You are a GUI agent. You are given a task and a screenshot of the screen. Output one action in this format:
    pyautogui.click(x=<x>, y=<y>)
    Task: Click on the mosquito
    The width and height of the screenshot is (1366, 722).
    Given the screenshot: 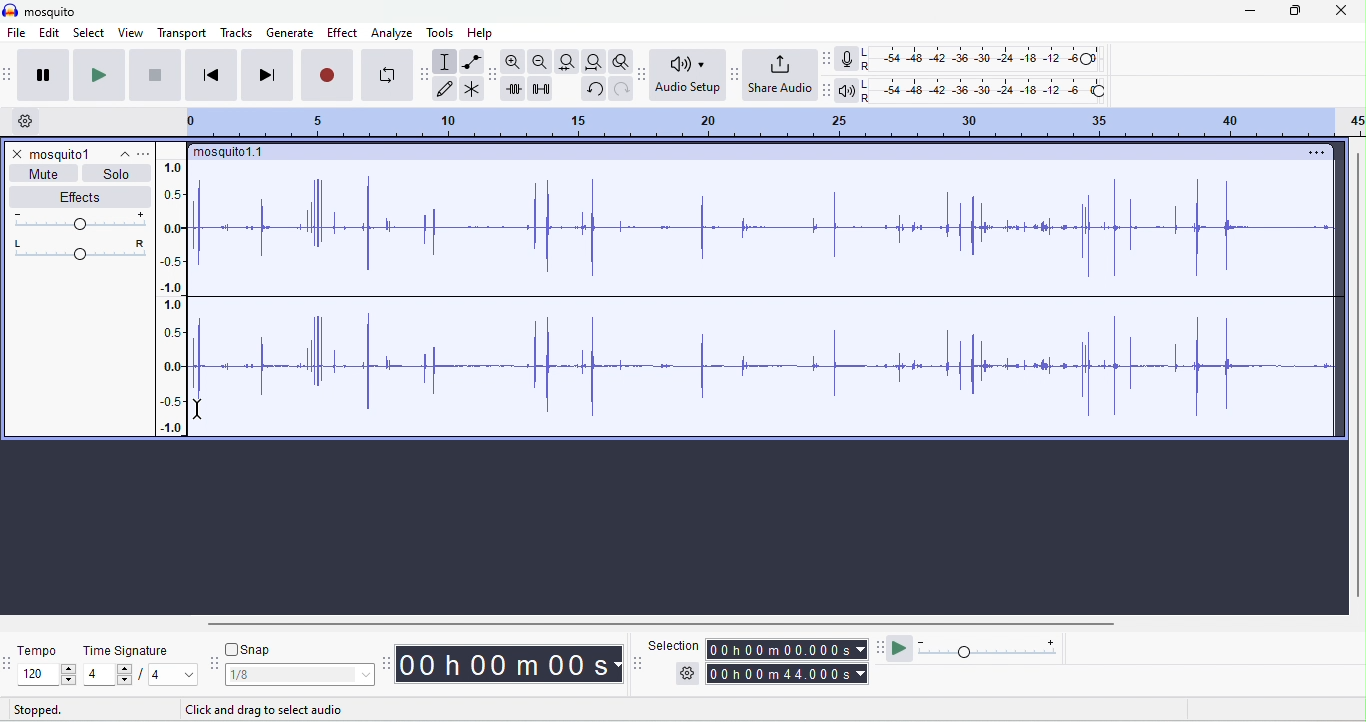 What is the action you would take?
    pyautogui.click(x=43, y=12)
    